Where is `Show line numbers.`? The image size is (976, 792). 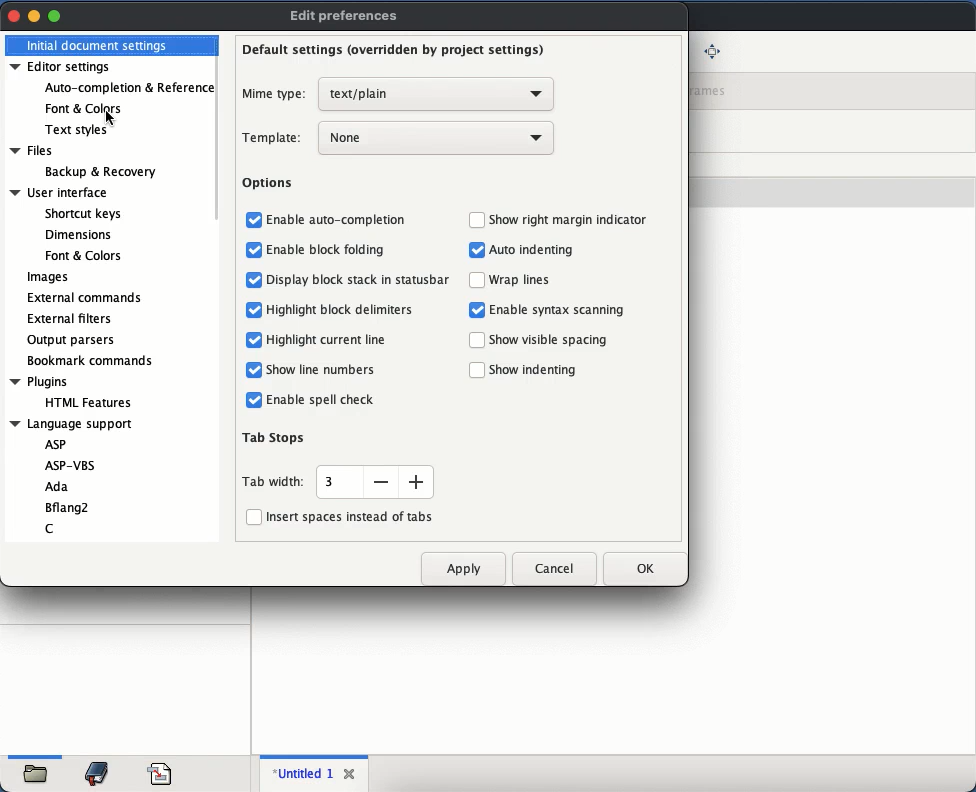 Show line numbers. is located at coordinates (327, 372).